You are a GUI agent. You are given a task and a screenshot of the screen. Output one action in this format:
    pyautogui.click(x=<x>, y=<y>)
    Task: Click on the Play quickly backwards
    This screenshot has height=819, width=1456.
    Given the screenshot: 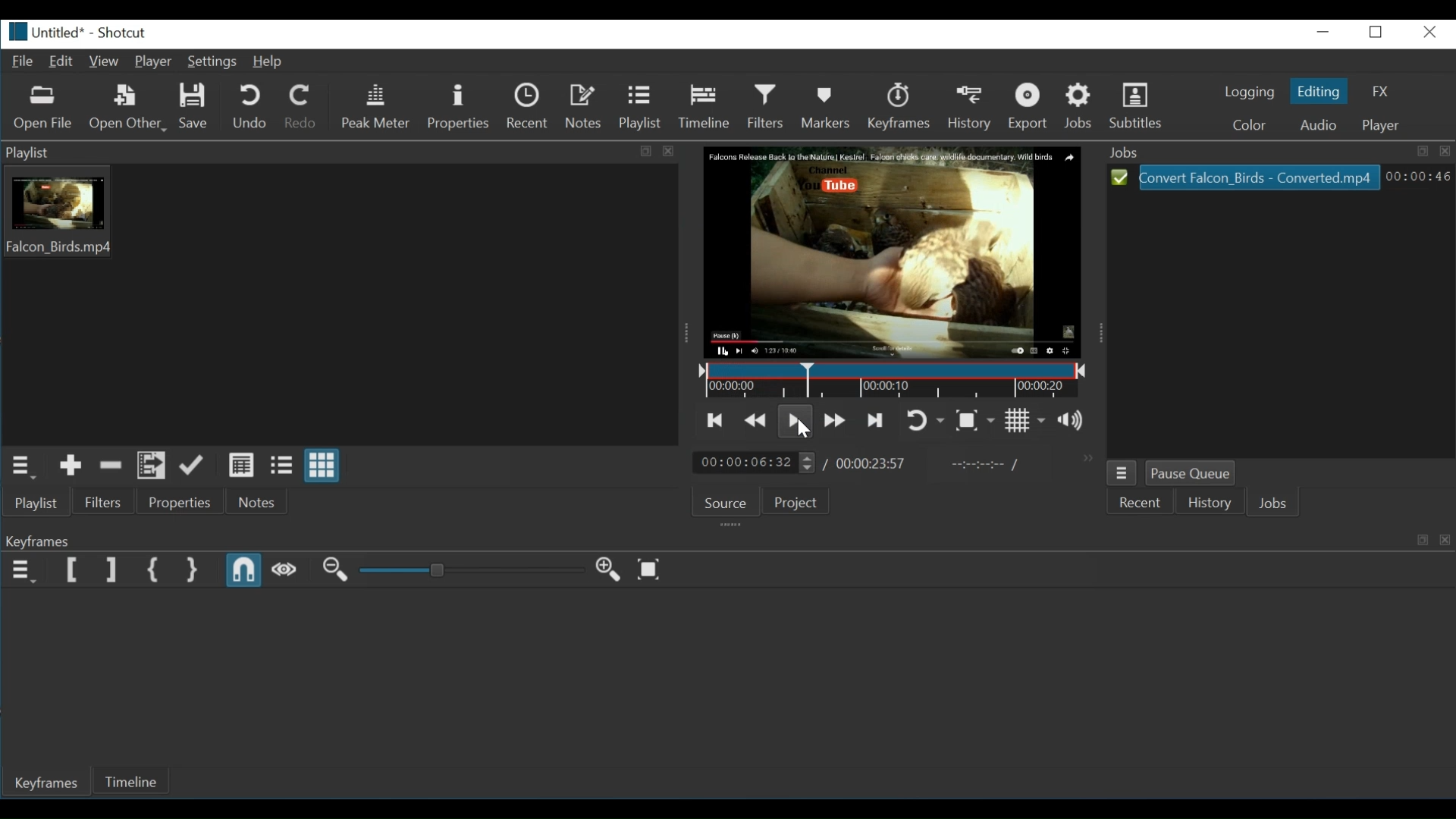 What is the action you would take?
    pyautogui.click(x=756, y=420)
    